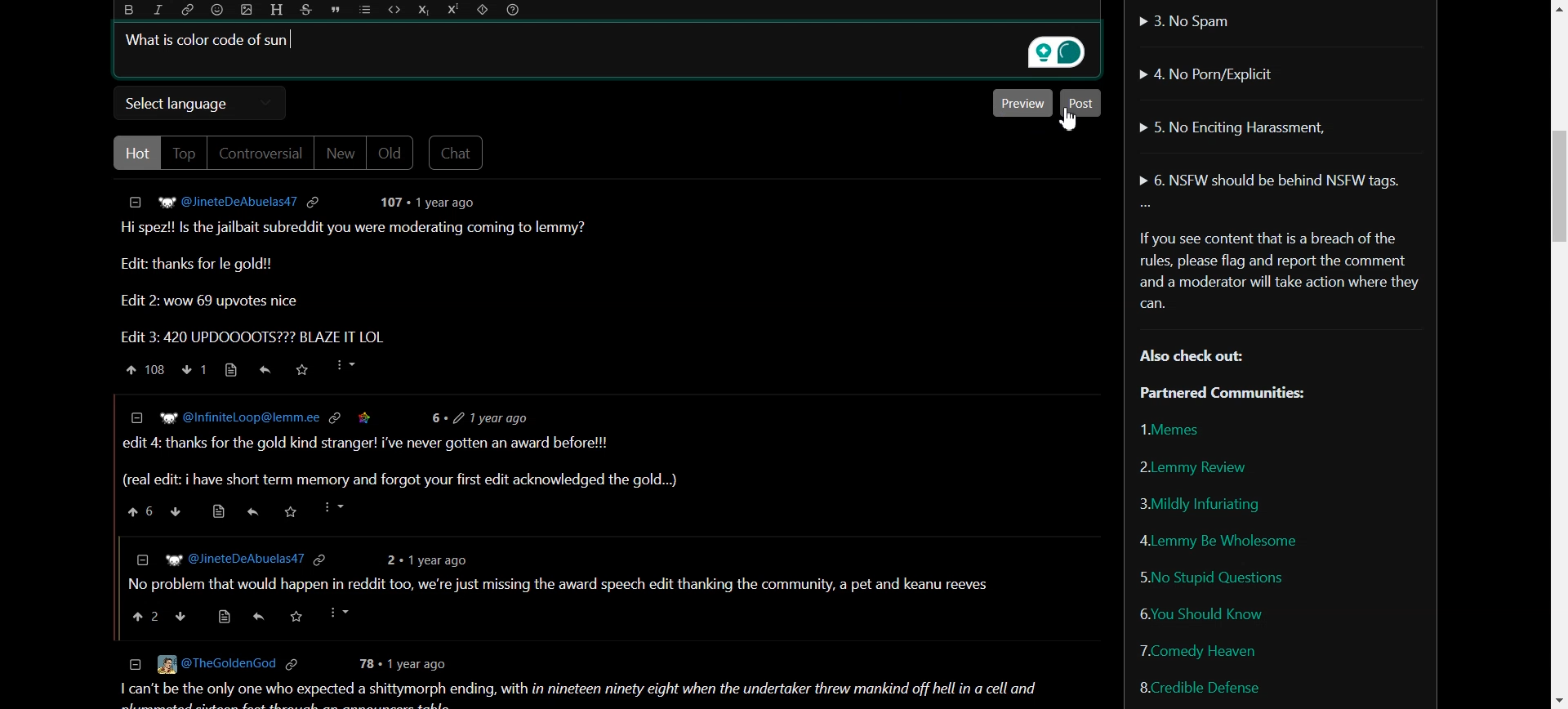 The height and width of the screenshot is (709, 1568). Describe the element at coordinates (275, 10) in the screenshot. I see `Header` at that location.